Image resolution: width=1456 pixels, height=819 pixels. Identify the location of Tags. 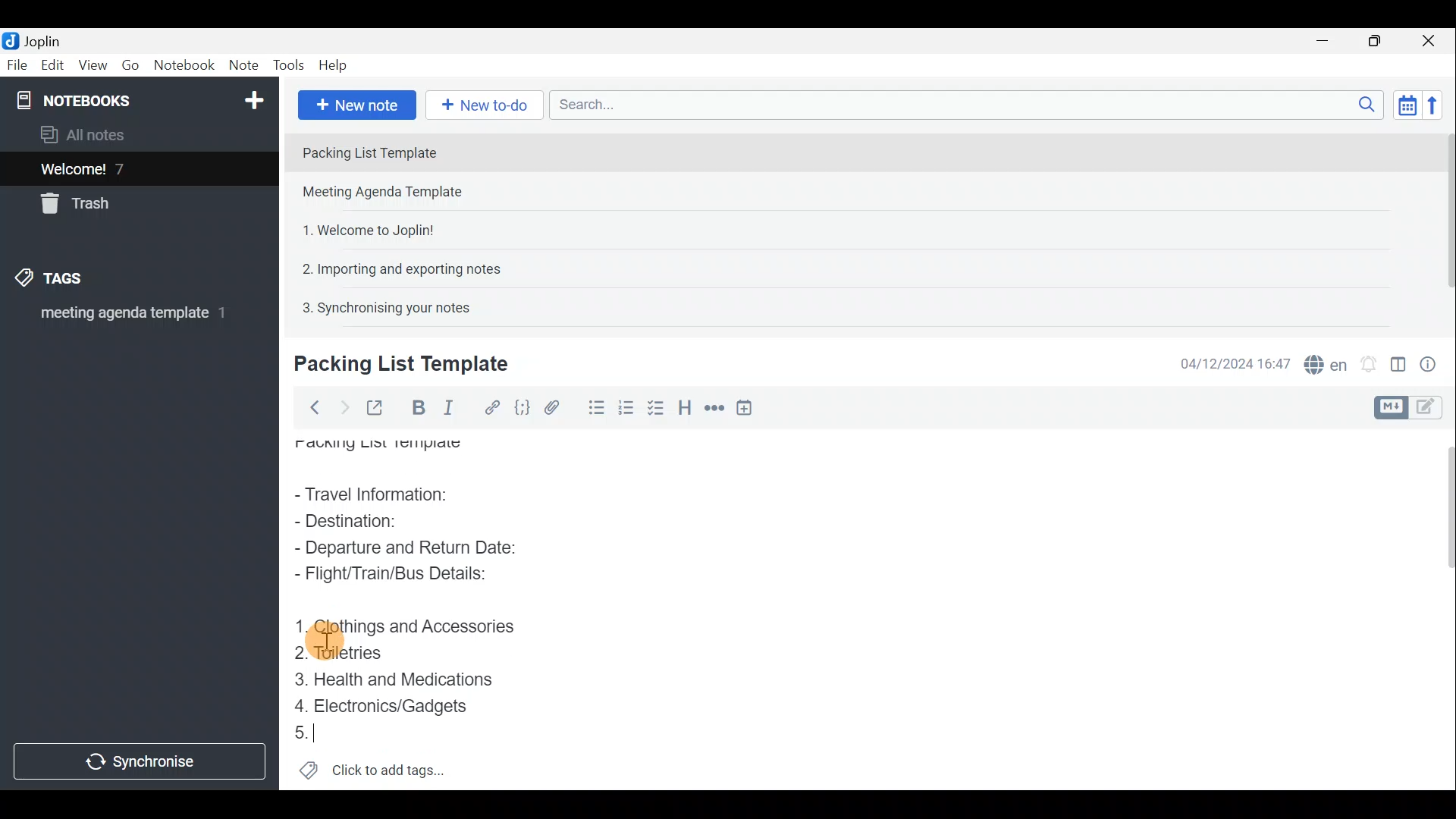
(74, 281).